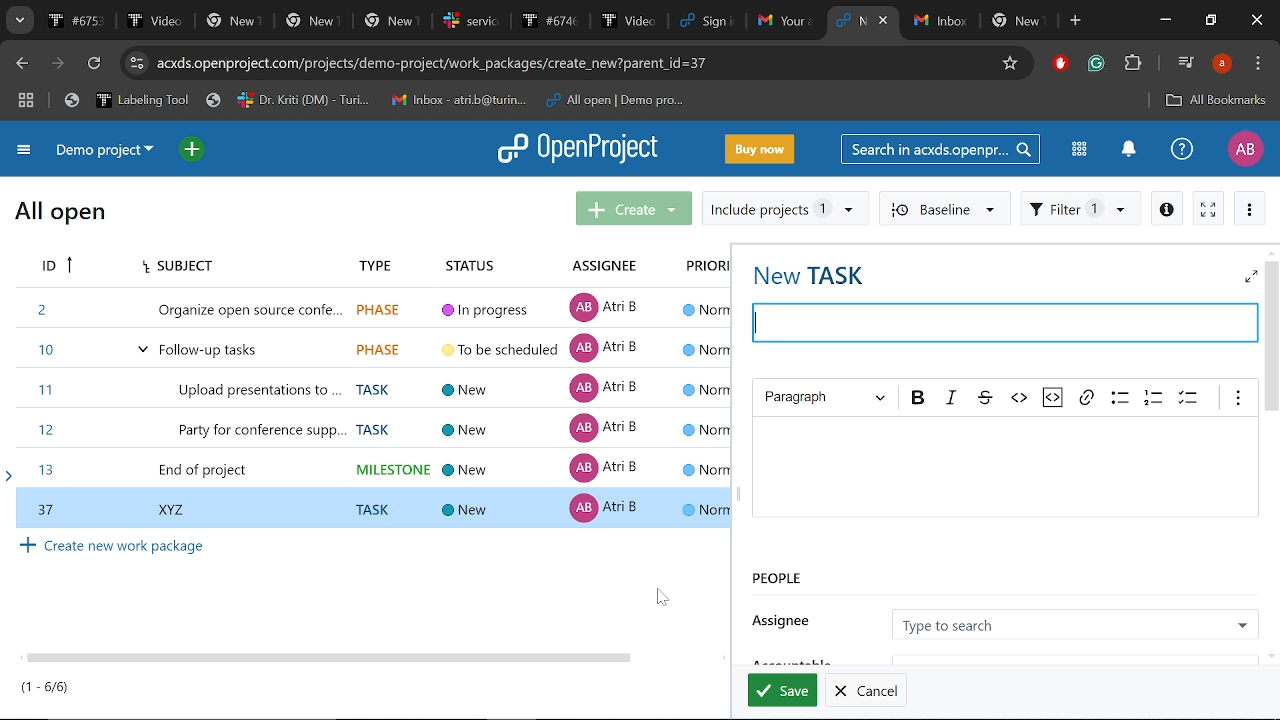  Describe the element at coordinates (1058, 65) in the screenshot. I see `Add block` at that location.